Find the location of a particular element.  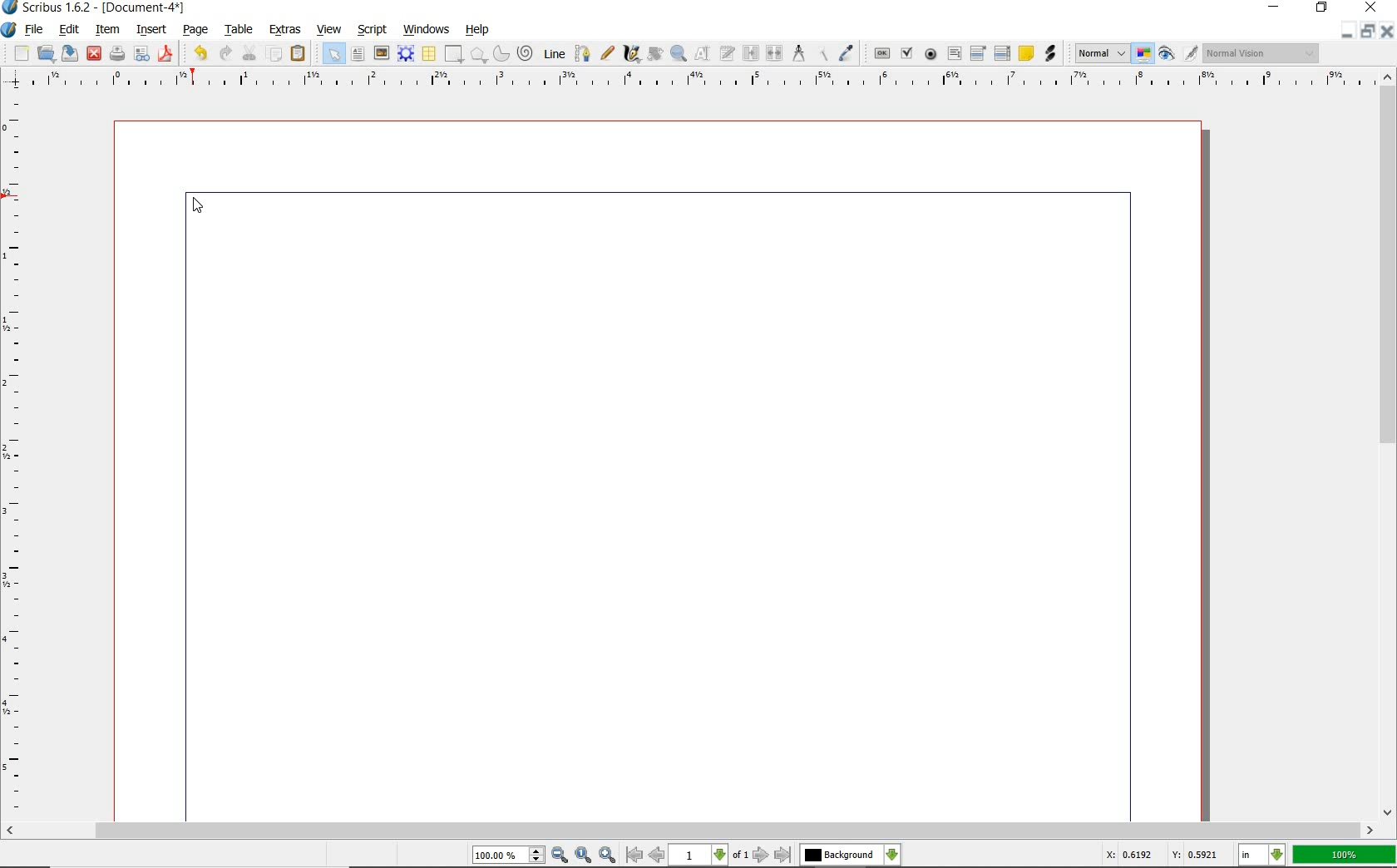

100.00% is located at coordinates (510, 856).